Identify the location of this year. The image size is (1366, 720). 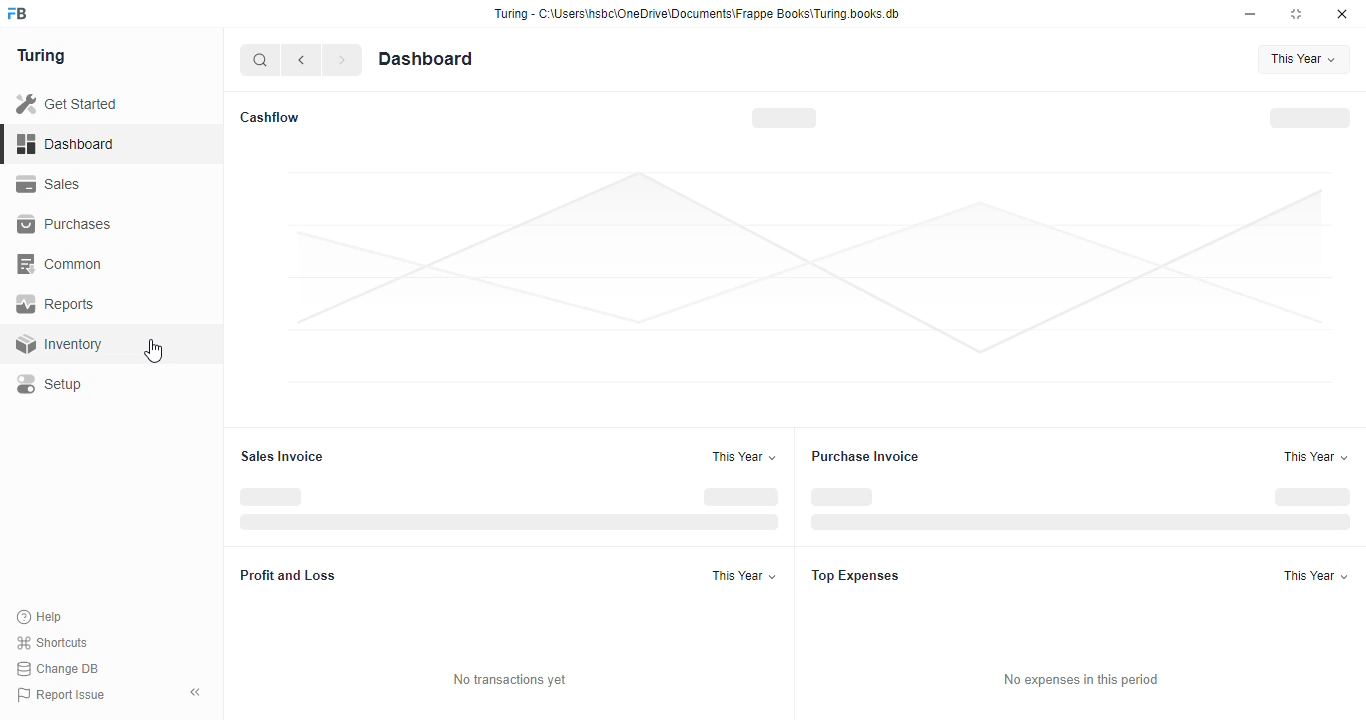
(1315, 457).